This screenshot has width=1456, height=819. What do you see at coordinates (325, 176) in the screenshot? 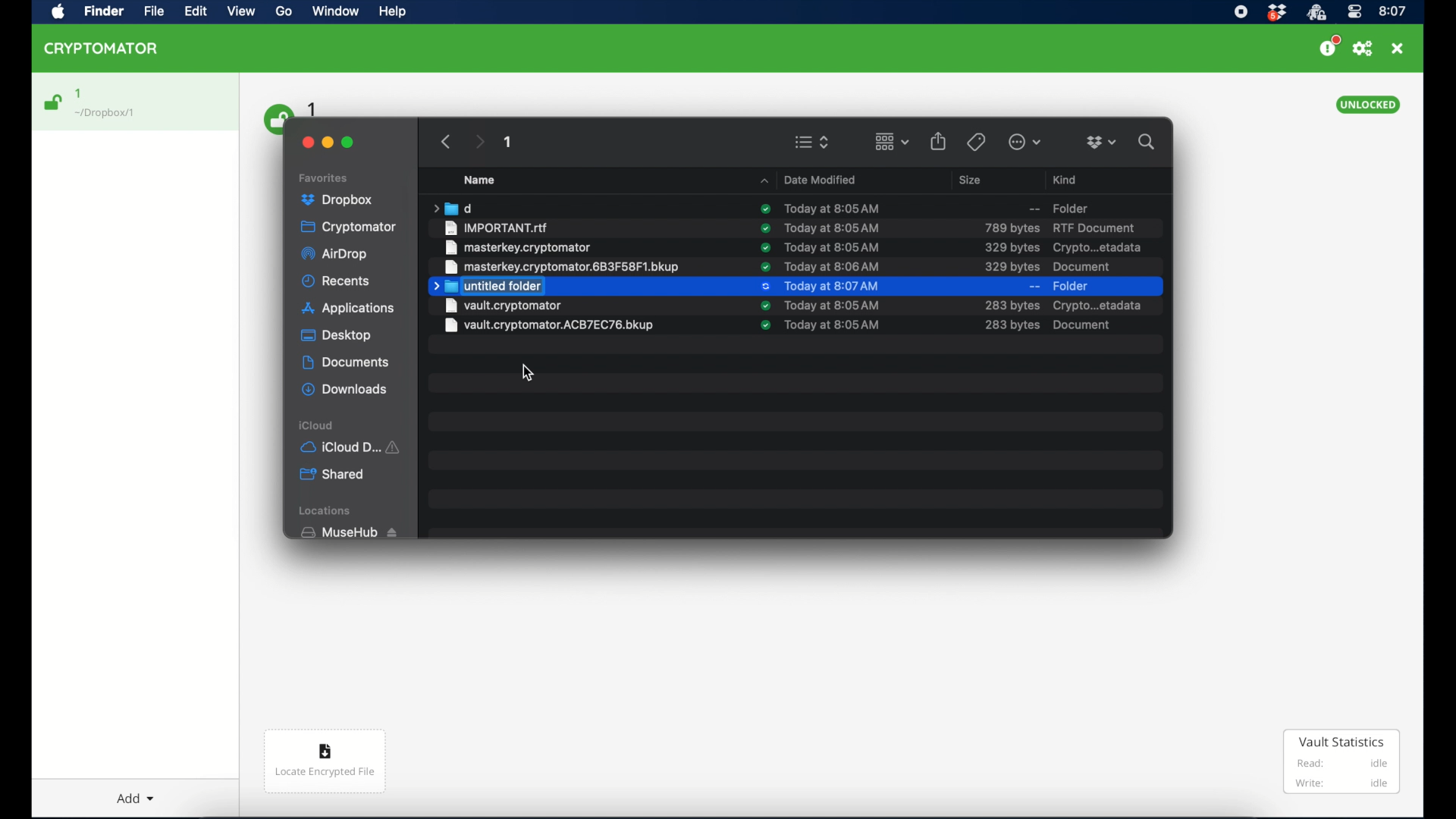
I see `favorites` at bounding box center [325, 176].